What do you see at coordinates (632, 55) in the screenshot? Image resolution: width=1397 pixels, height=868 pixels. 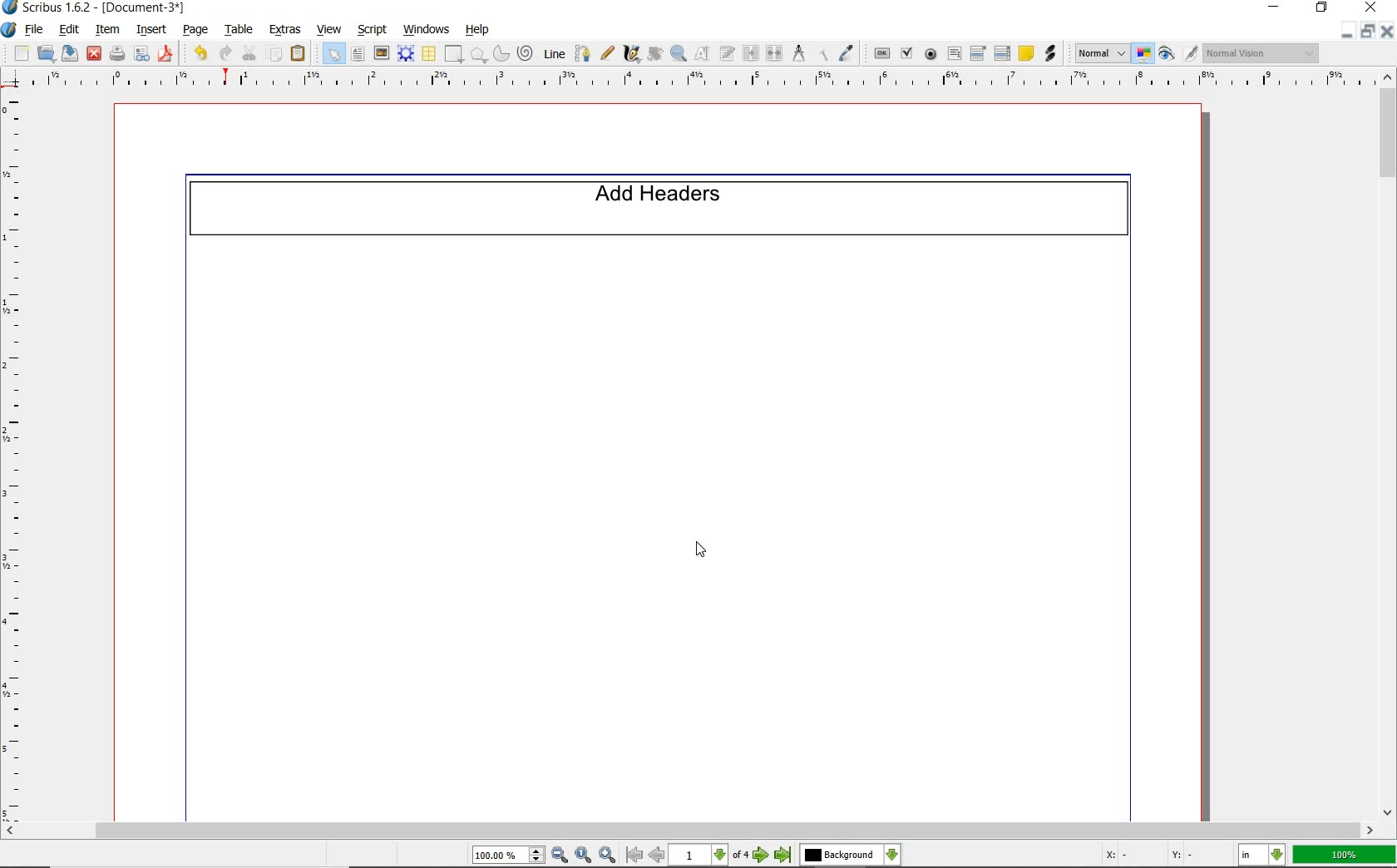 I see `calligraphic line` at bounding box center [632, 55].